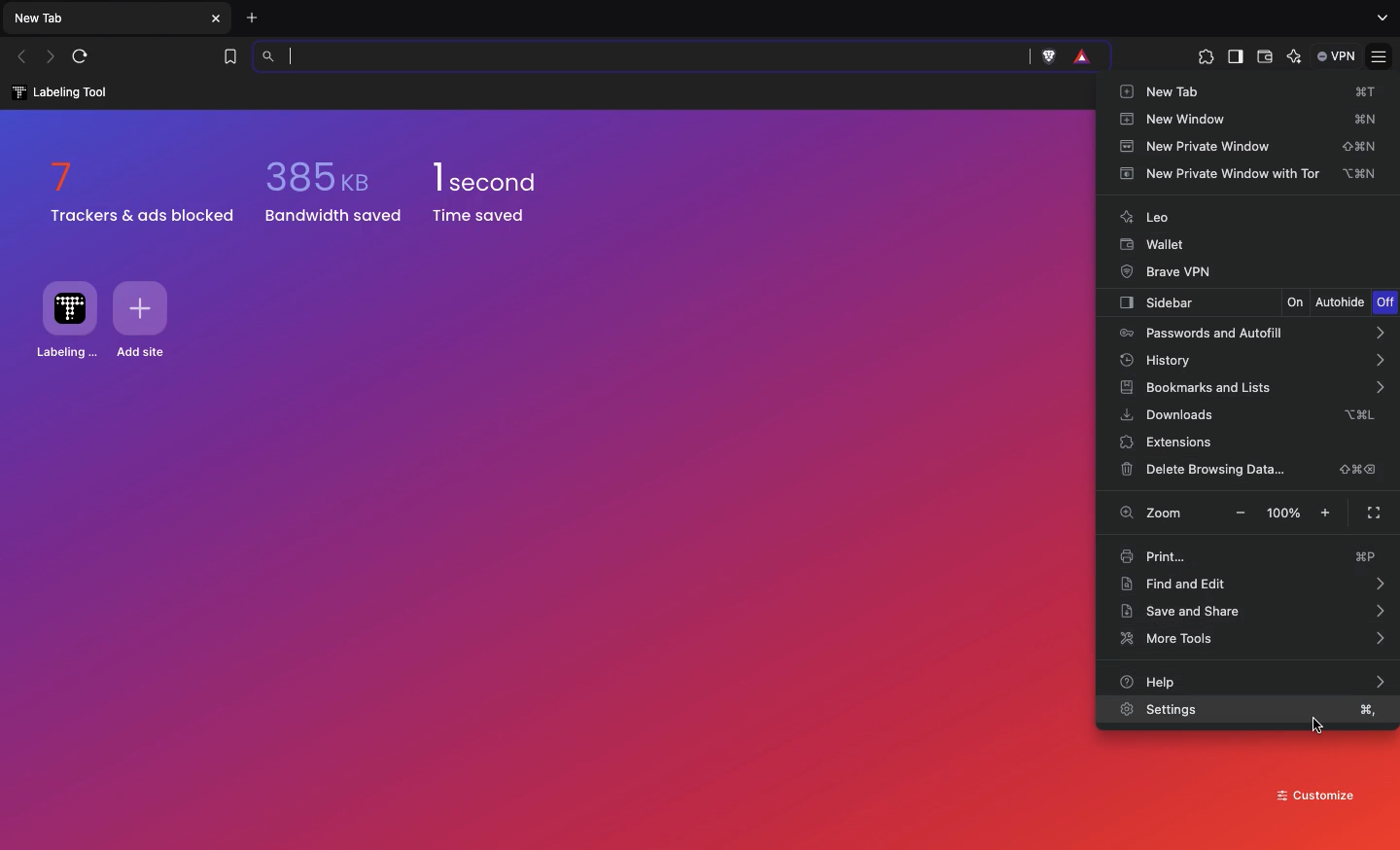 This screenshot has height=850, width=1400. I want to click on New private window, so click(1253, 146).